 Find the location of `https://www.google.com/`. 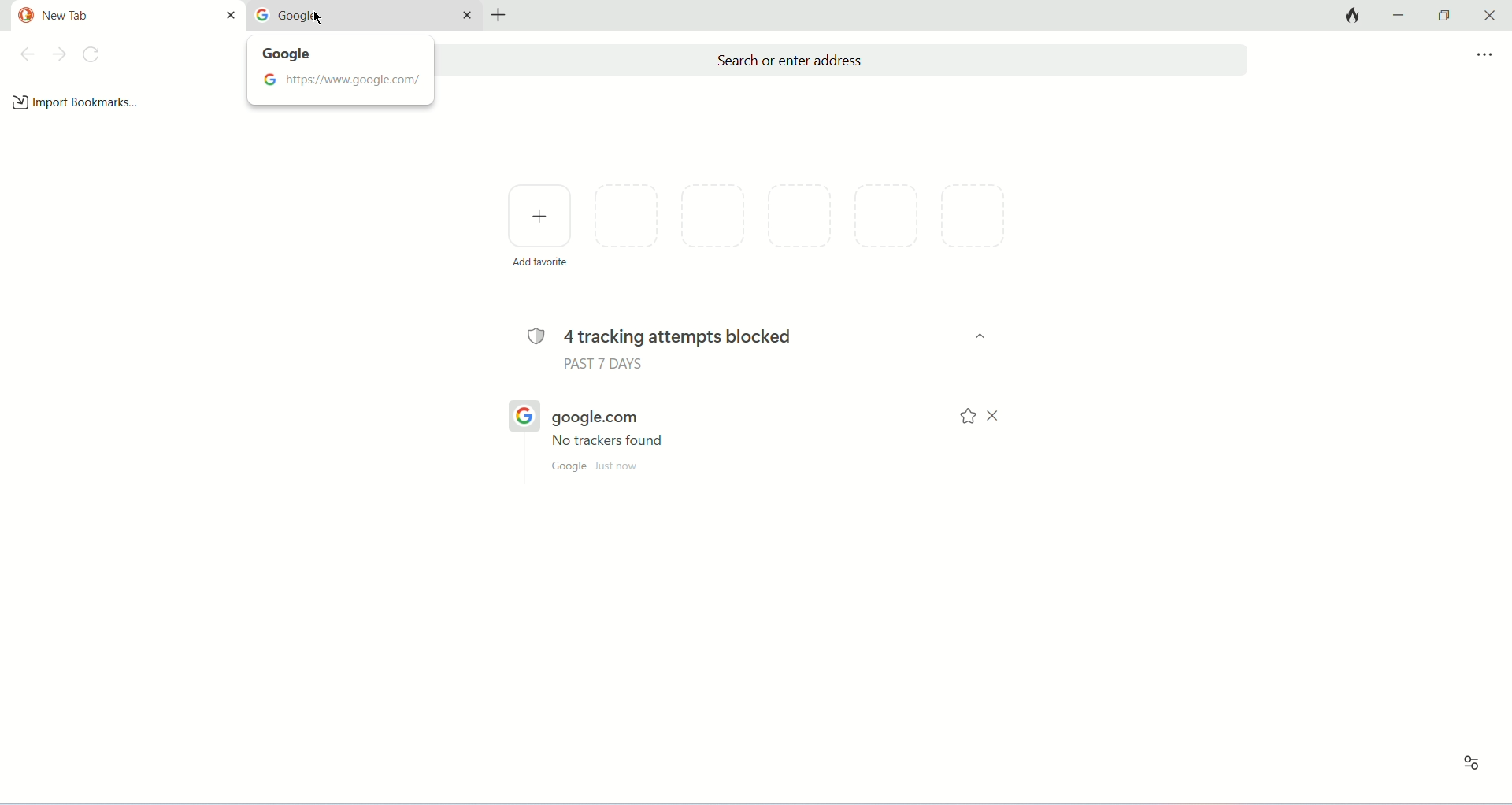

https://www.google.com/ is located at coordinates (358, 80).